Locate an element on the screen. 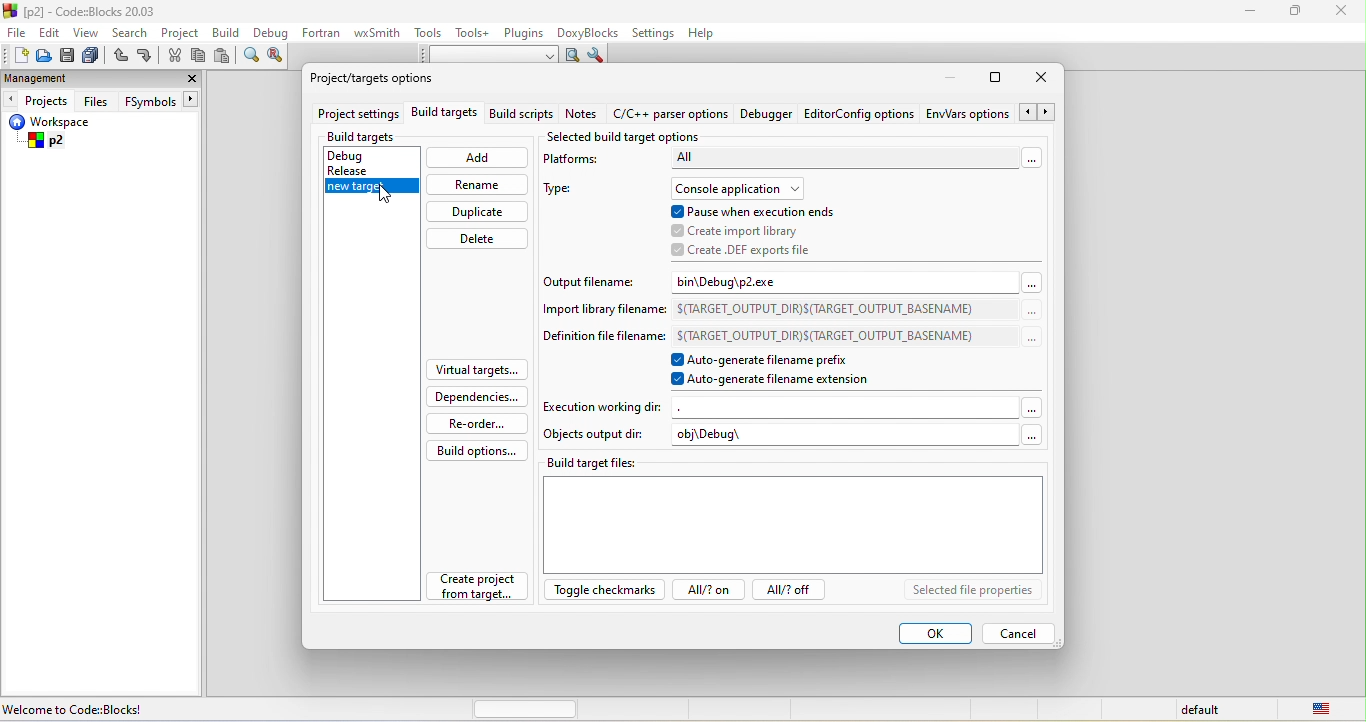  edit is located at coordinates (51, 34).